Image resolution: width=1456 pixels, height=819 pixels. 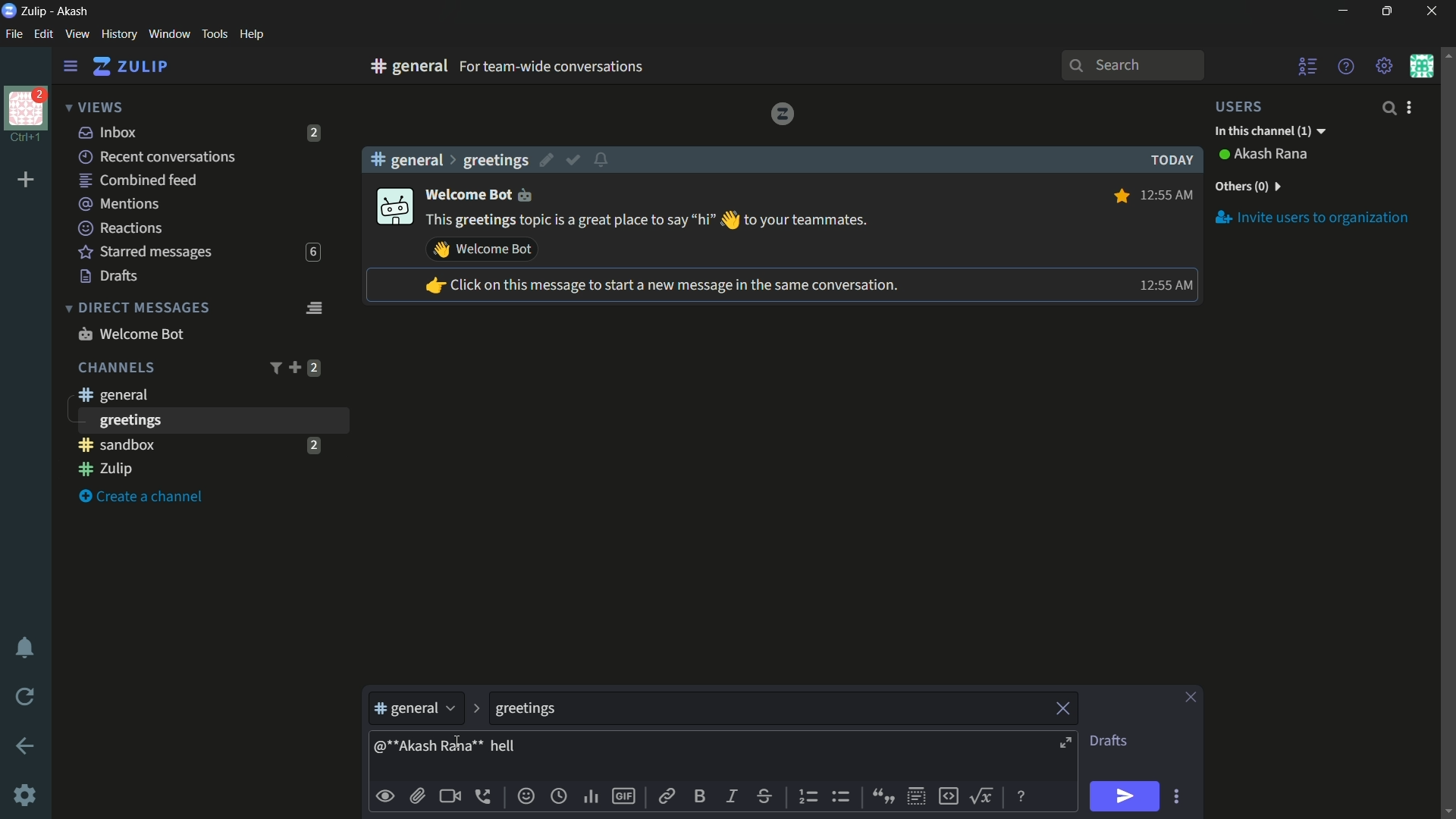 I want to click on Zulip logo, so click(x=782, y=113).